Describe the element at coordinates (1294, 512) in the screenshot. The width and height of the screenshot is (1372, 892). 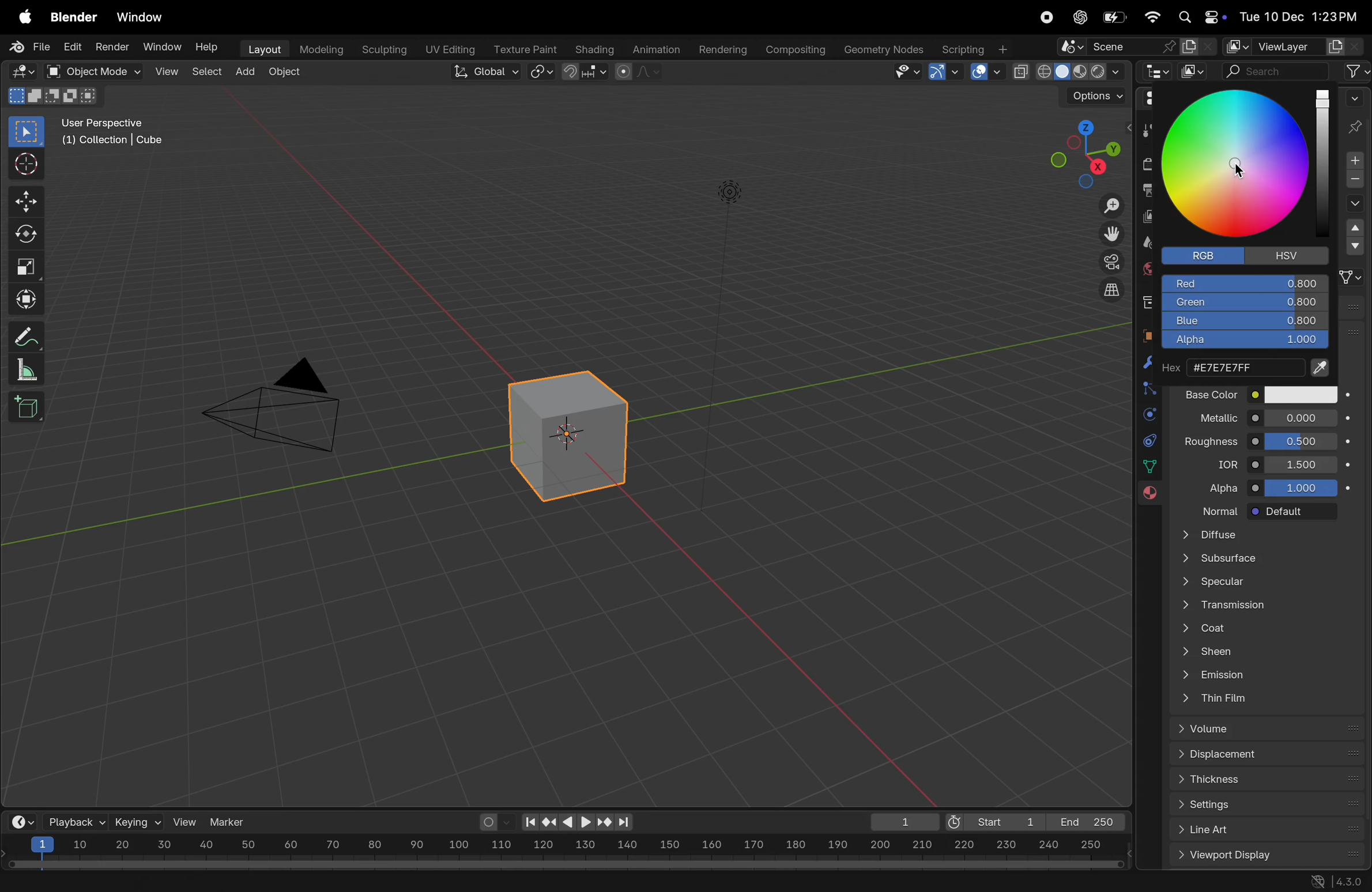
I see `default` at that location.